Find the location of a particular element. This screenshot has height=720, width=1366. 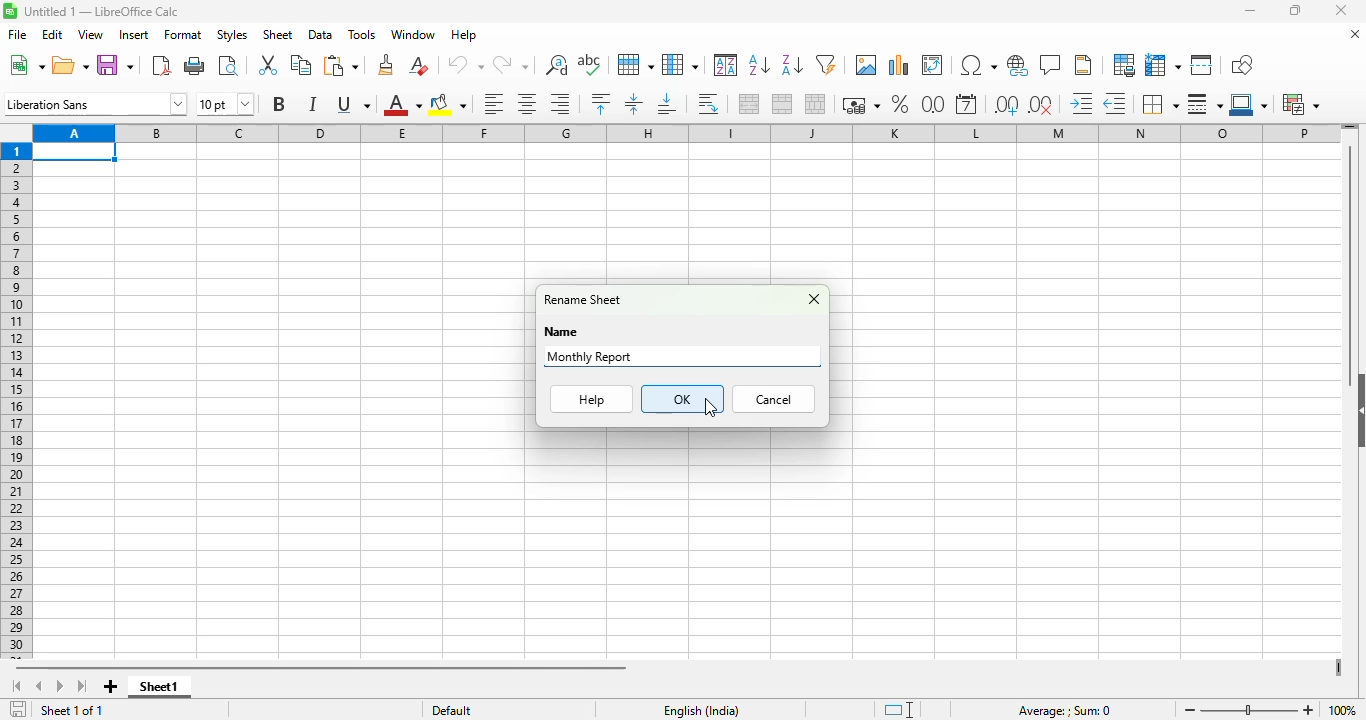

row is located at coordinates (635, 65).